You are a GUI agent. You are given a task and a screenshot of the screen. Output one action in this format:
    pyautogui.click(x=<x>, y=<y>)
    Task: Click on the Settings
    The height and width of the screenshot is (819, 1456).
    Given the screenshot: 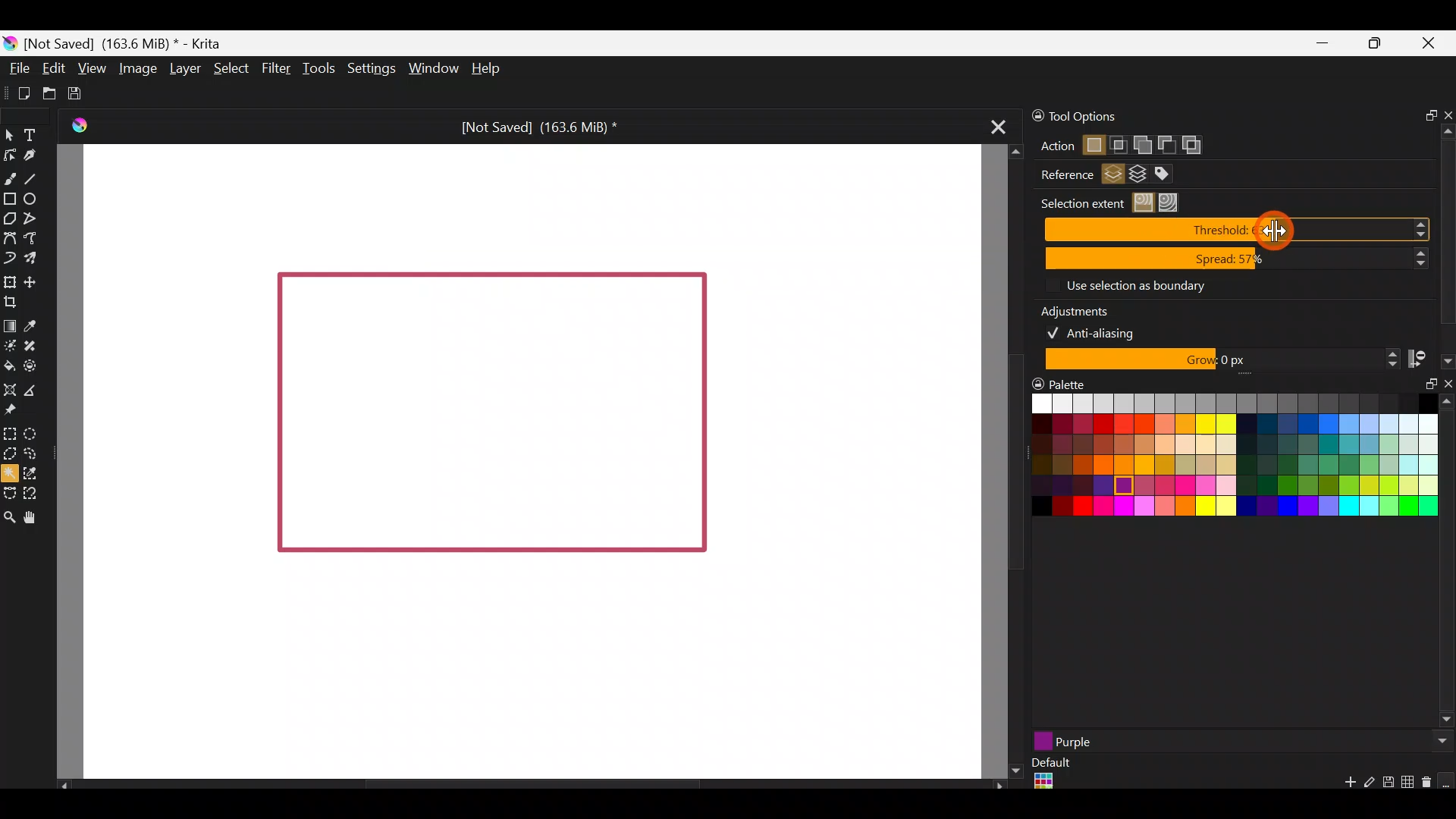 What is the action you would take?
    pyautogui.click(x=369, y=66)
    